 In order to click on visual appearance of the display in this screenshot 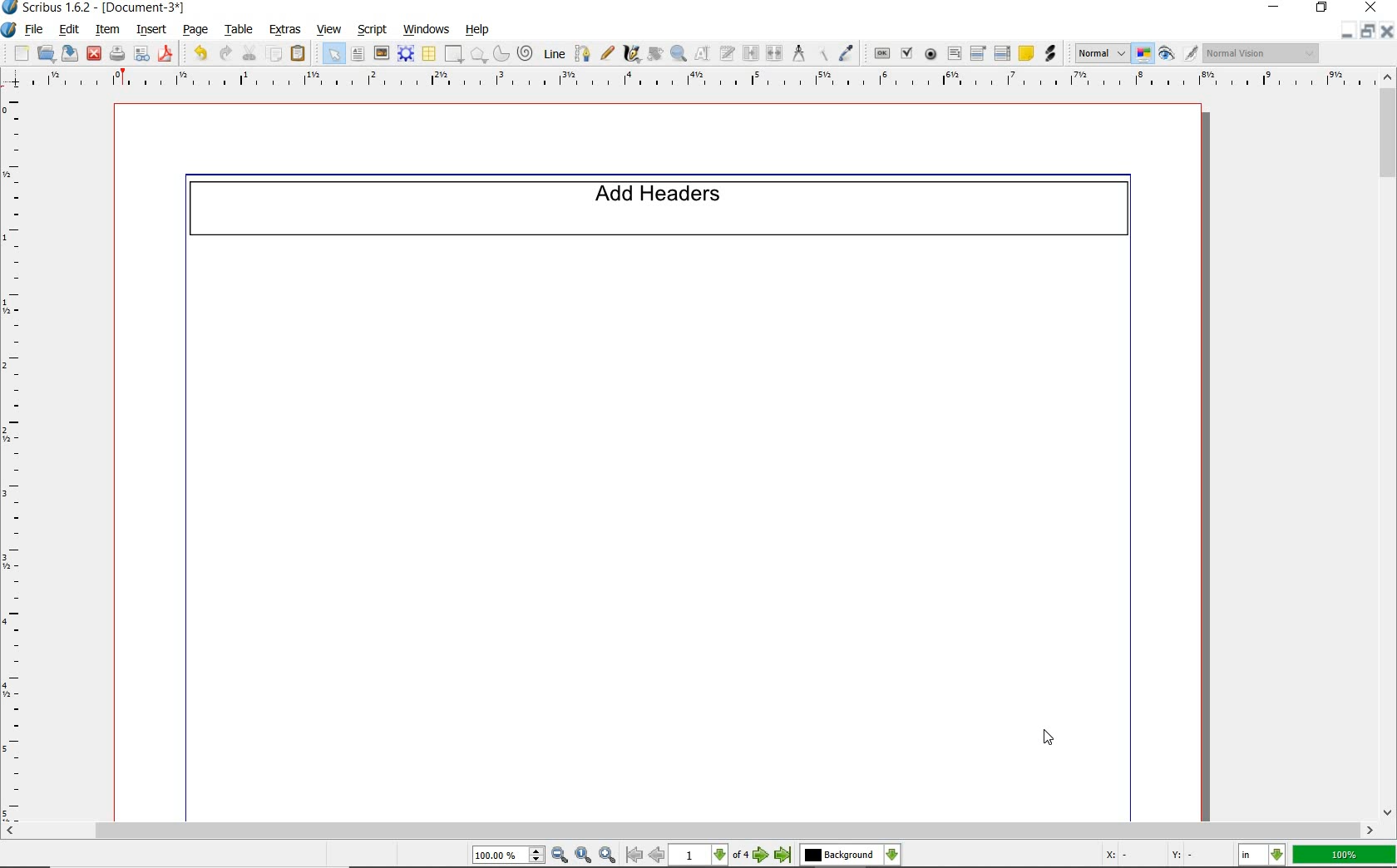, I will do `click(1262, 54)`.